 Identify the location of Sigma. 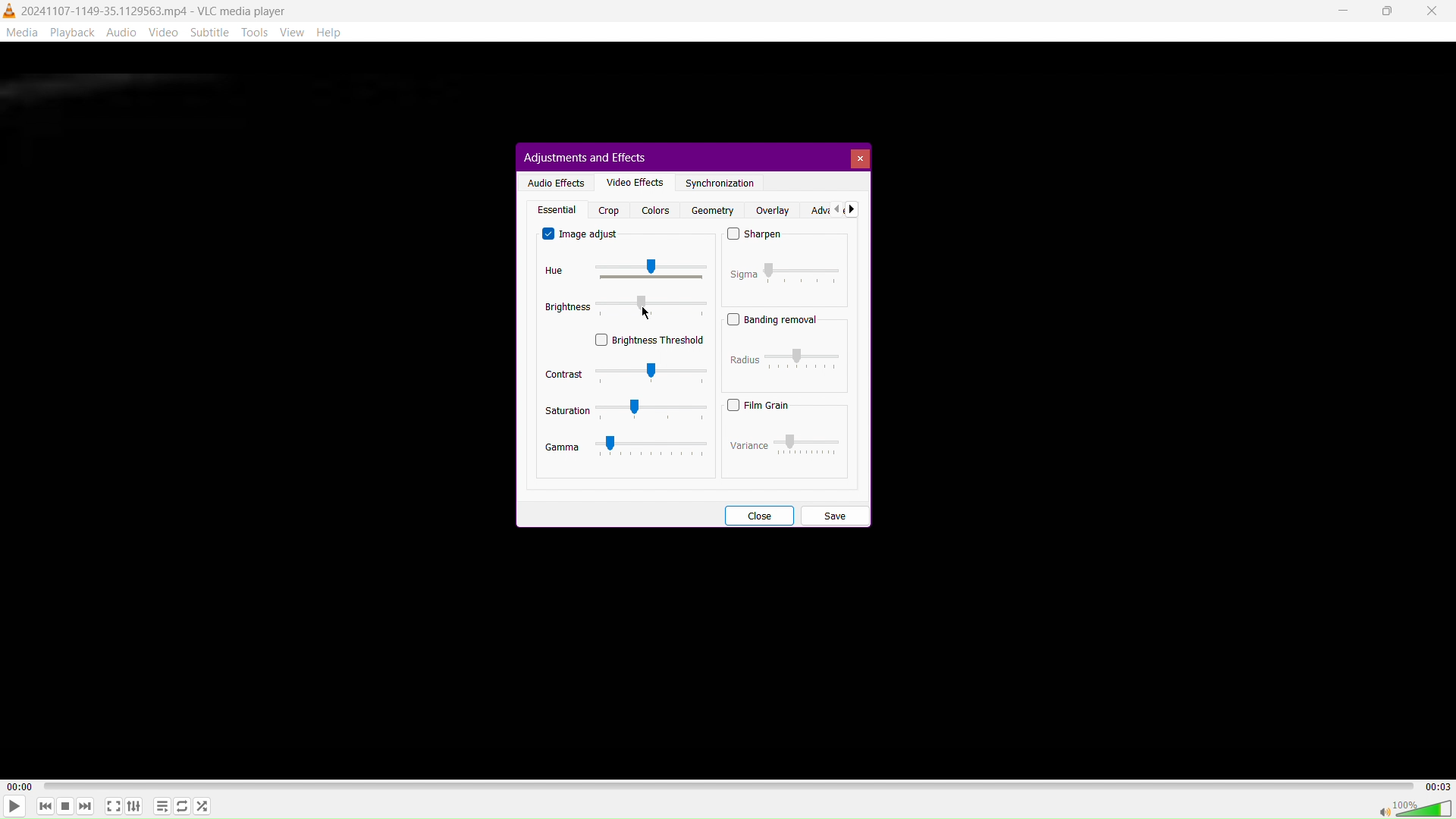
(785, 271).